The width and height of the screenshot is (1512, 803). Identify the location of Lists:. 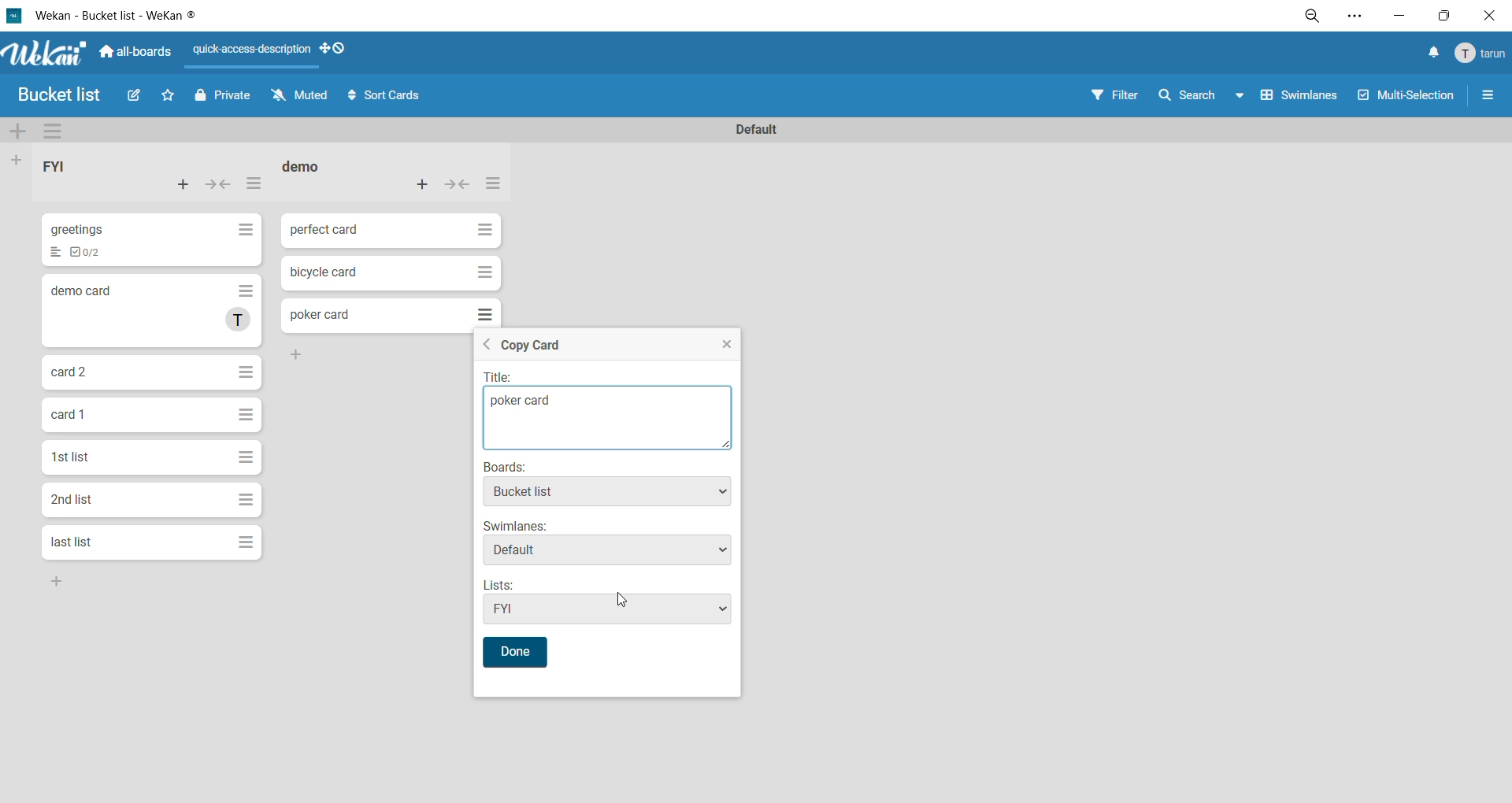
(506, 584).